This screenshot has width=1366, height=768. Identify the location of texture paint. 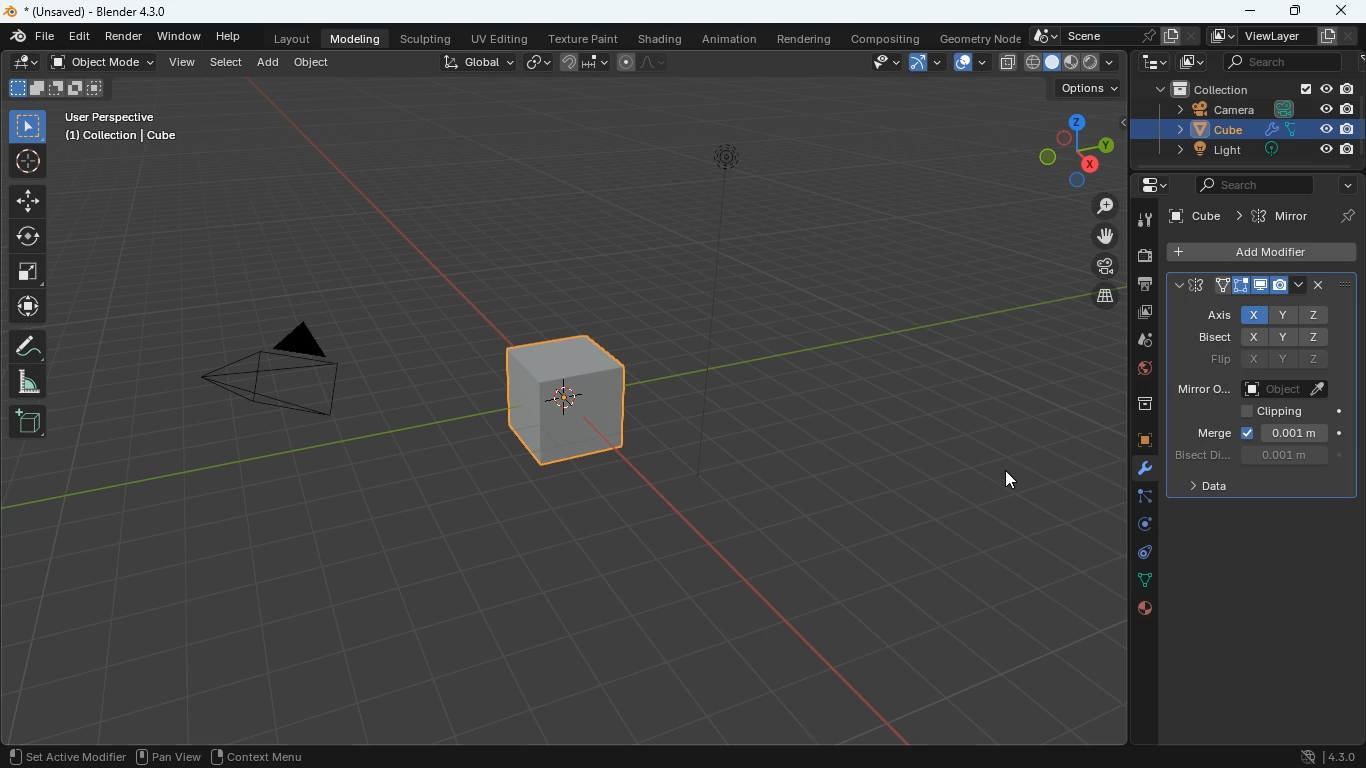
(581, 37).